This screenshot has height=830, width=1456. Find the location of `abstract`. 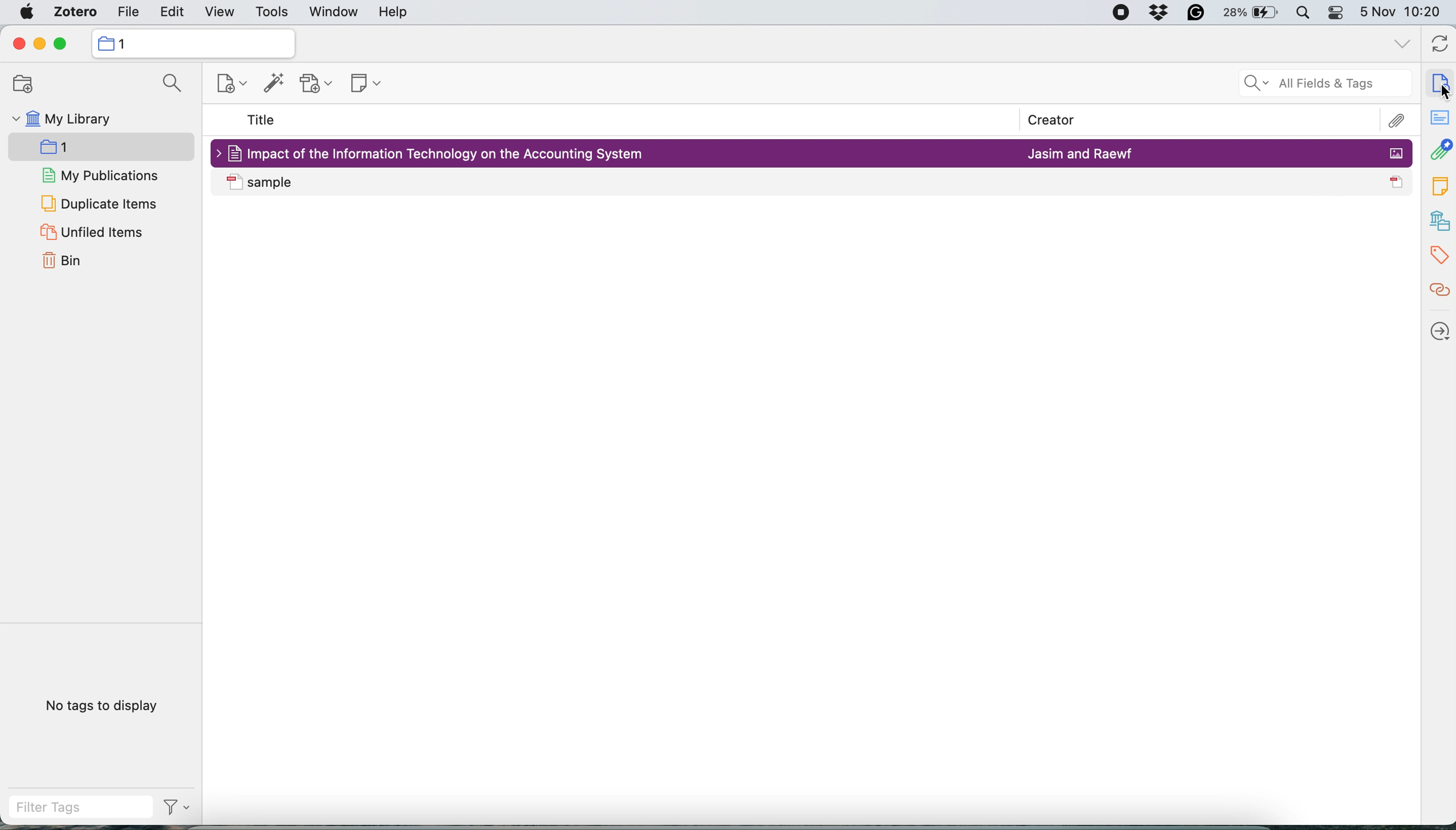

abstract is located at coordinates (1439, 118).